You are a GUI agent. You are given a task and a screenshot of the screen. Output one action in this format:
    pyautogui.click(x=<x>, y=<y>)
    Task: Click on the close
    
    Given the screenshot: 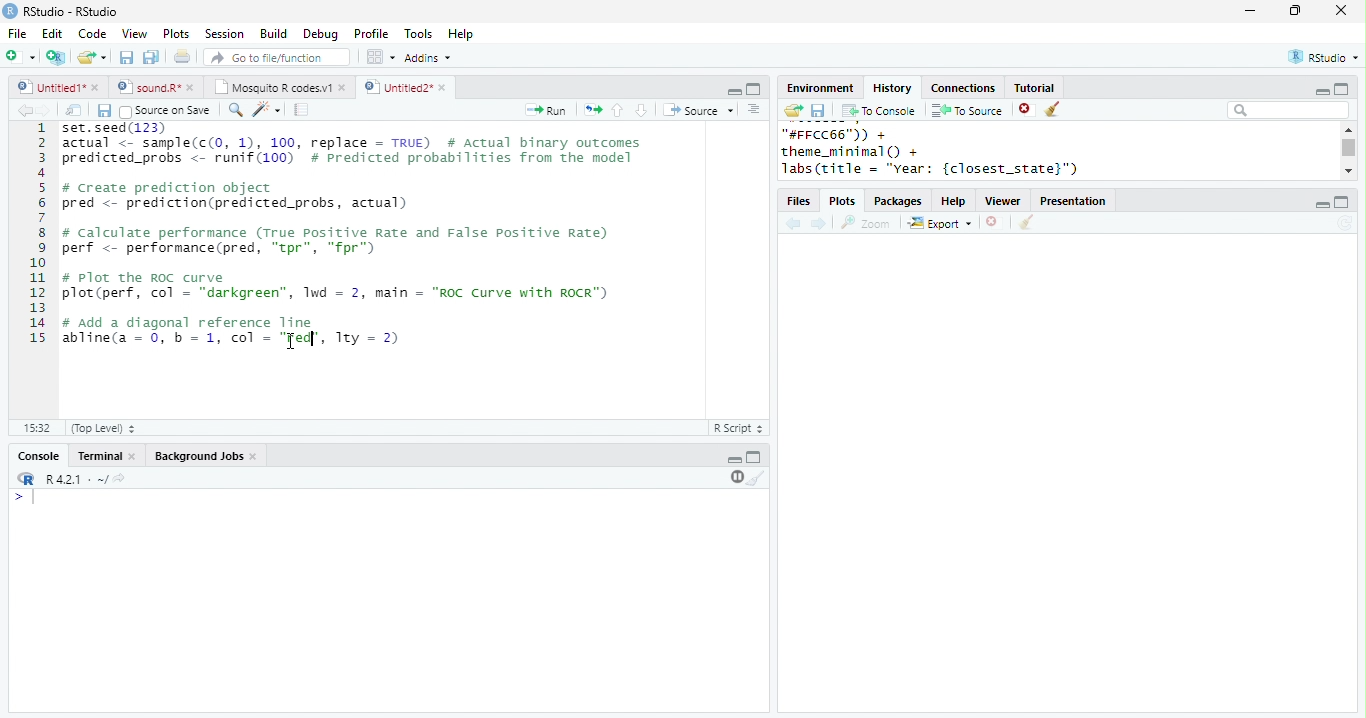 What is the action you would take?
    pyautogui.click(x=445, y=88)
    